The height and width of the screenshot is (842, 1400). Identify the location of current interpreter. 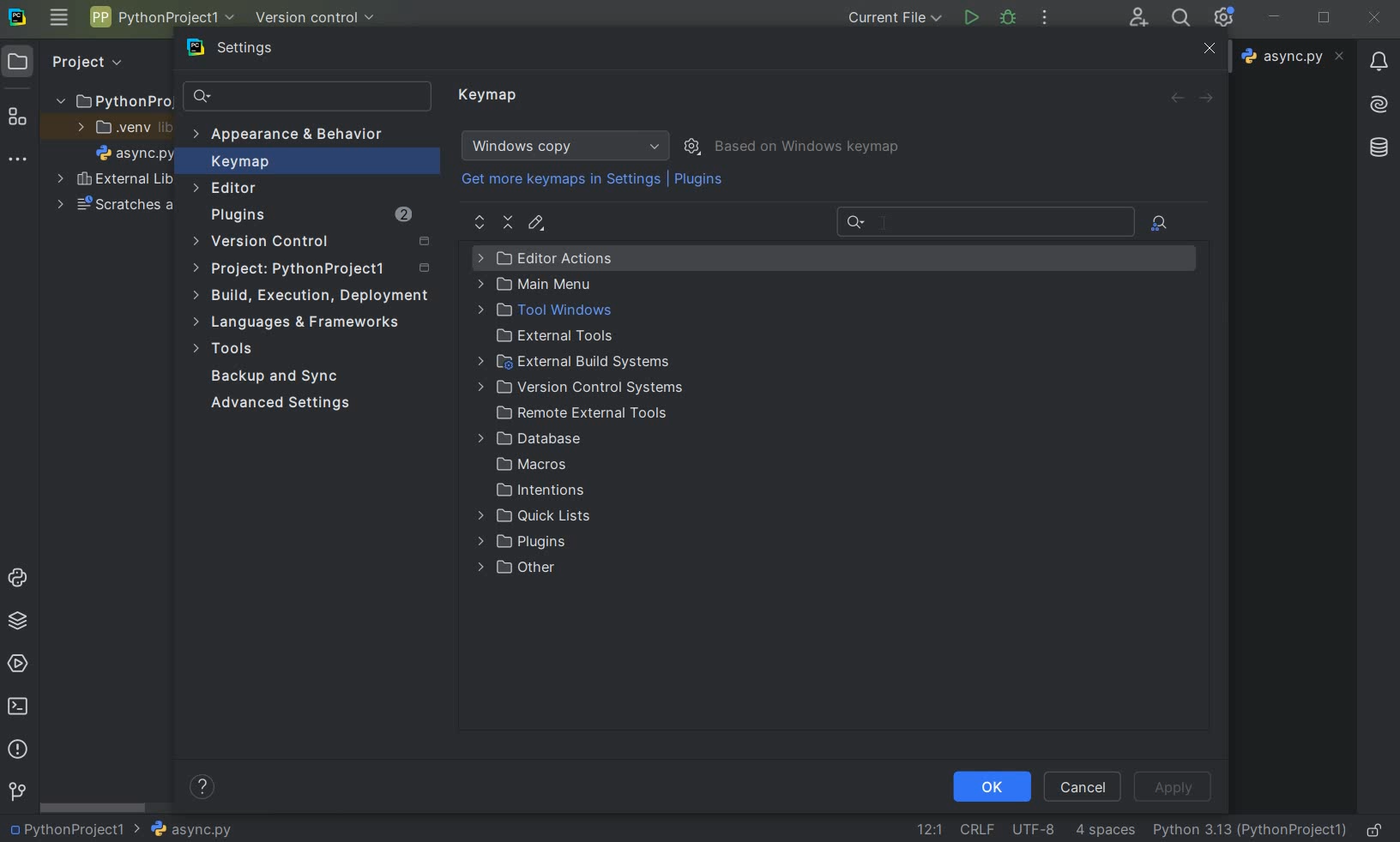
(1251, 829).